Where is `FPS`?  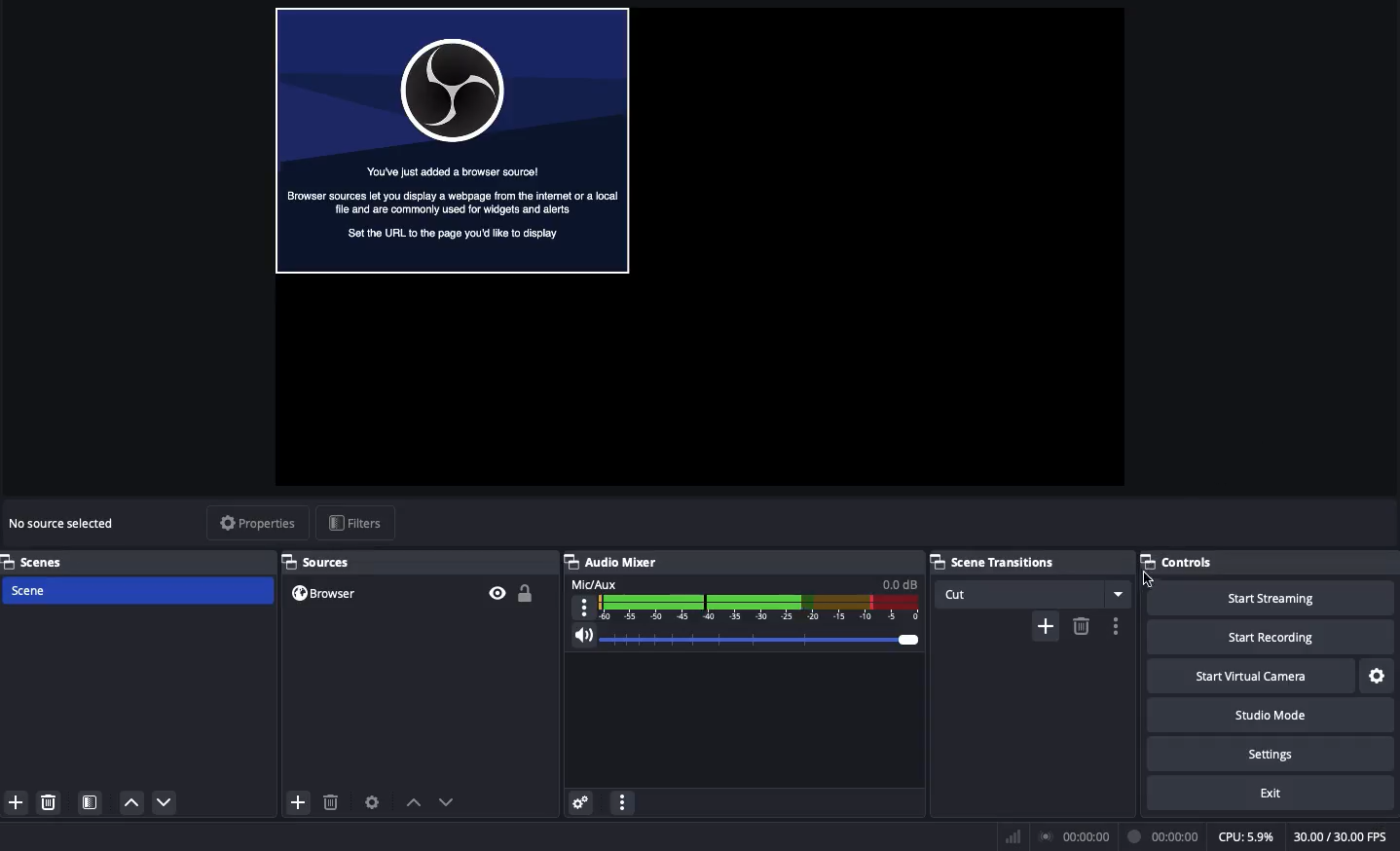
FPS is located at coordinates (1338, 835).